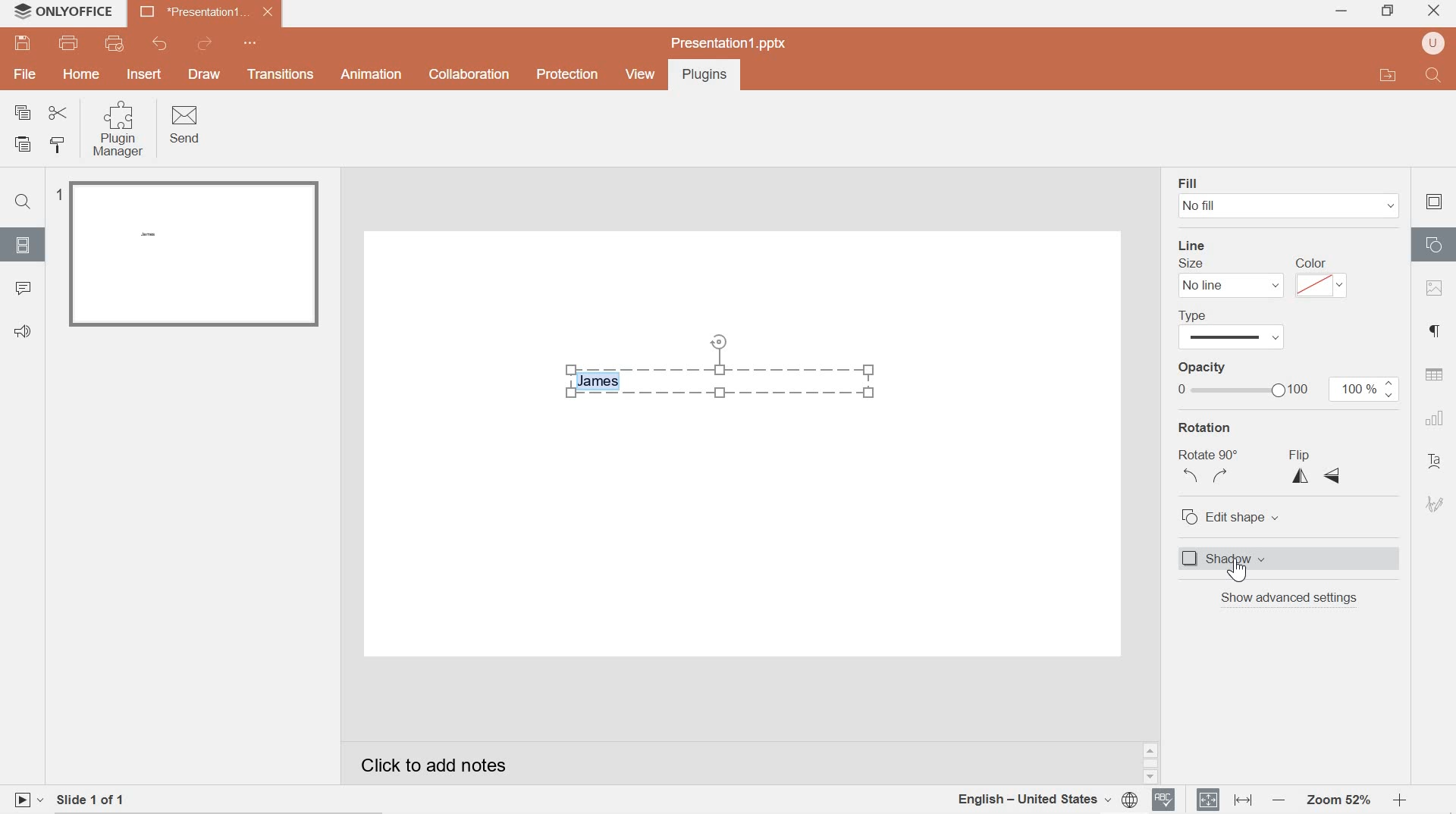 The height and width of the screenshot is (814, 1456). What do you see at coordinates (24, 245) in the screenshot?
I see `slides` at bounding box center [24, 245].